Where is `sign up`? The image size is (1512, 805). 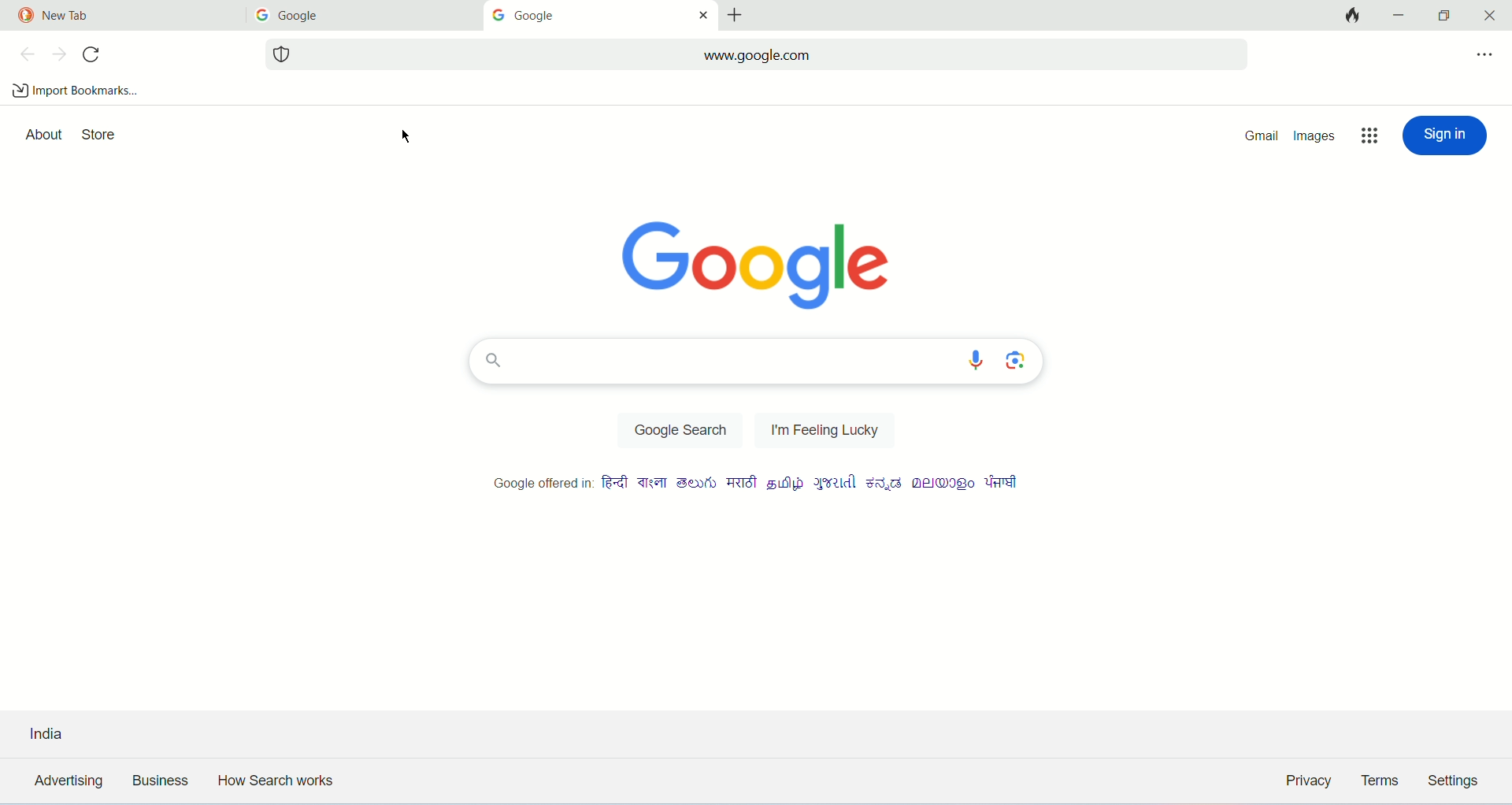
sign up is located at coordinates (1447, 137).